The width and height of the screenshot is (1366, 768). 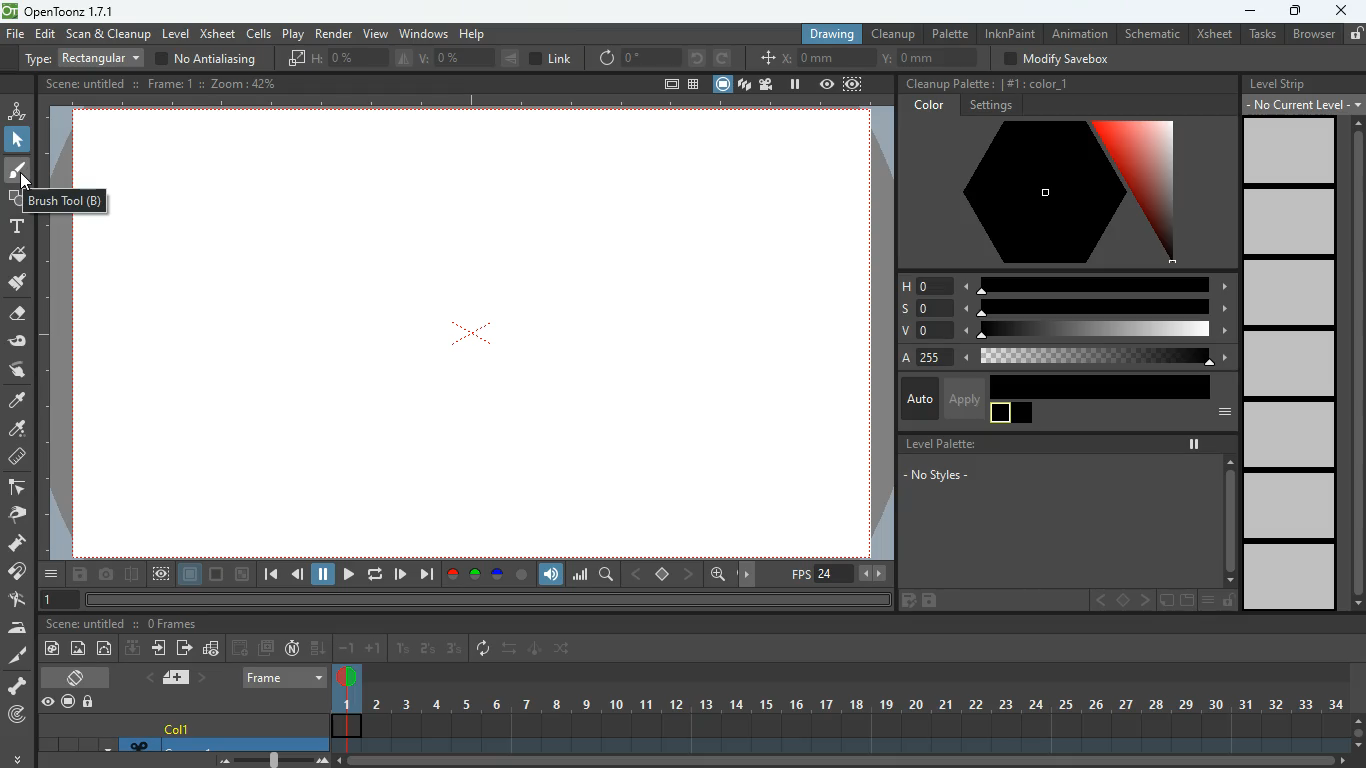 What do you see at coordinates (990, 106) in the screenshot?
I see `settings` at bounding box center [990, 106].